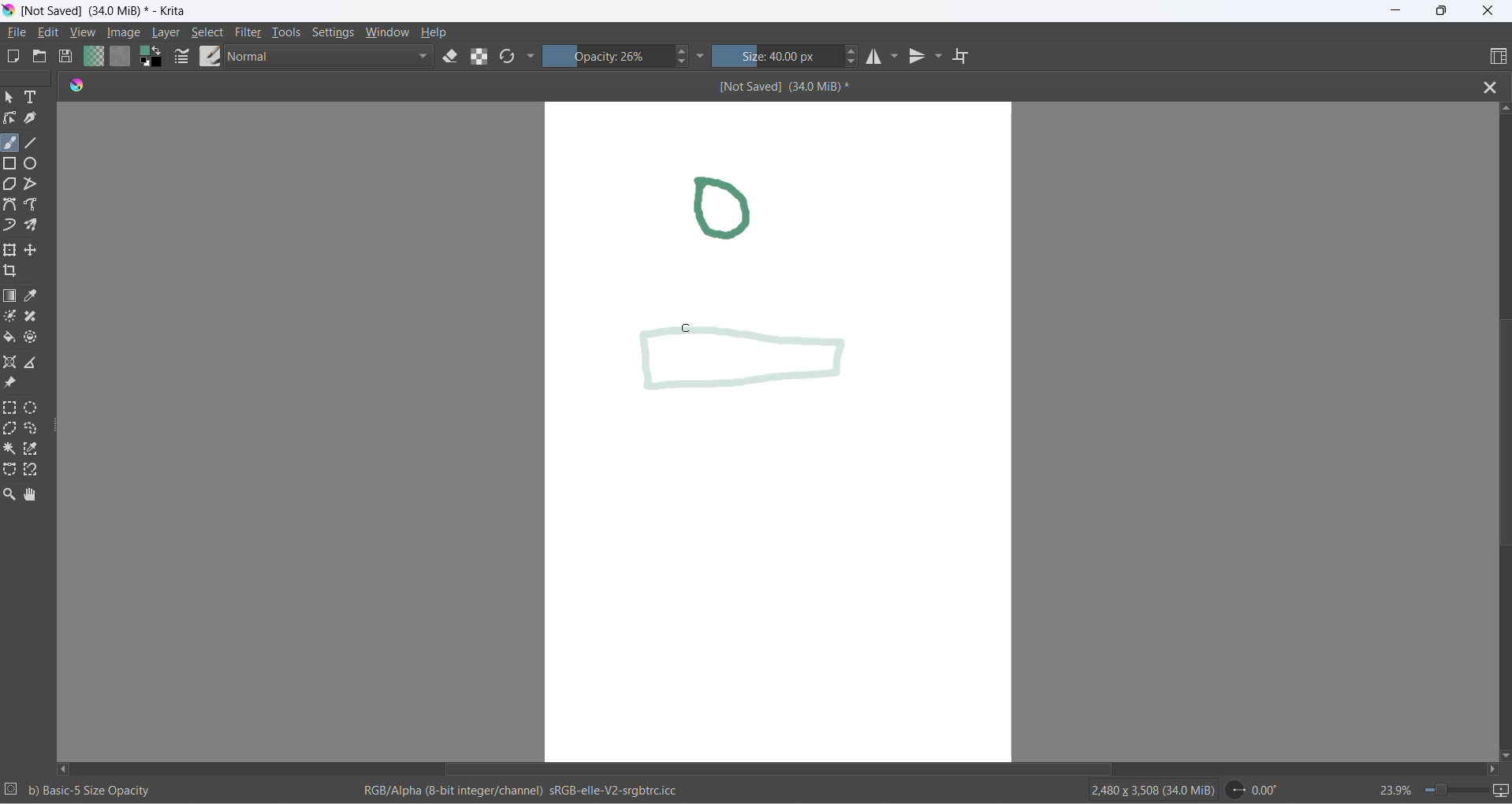 The width and height of the screenshot is (1512, 804). What do you see at coordinates (701, 55) in the screenshot?
I see `more settings dropdown button` at bounding box center [701, 55].